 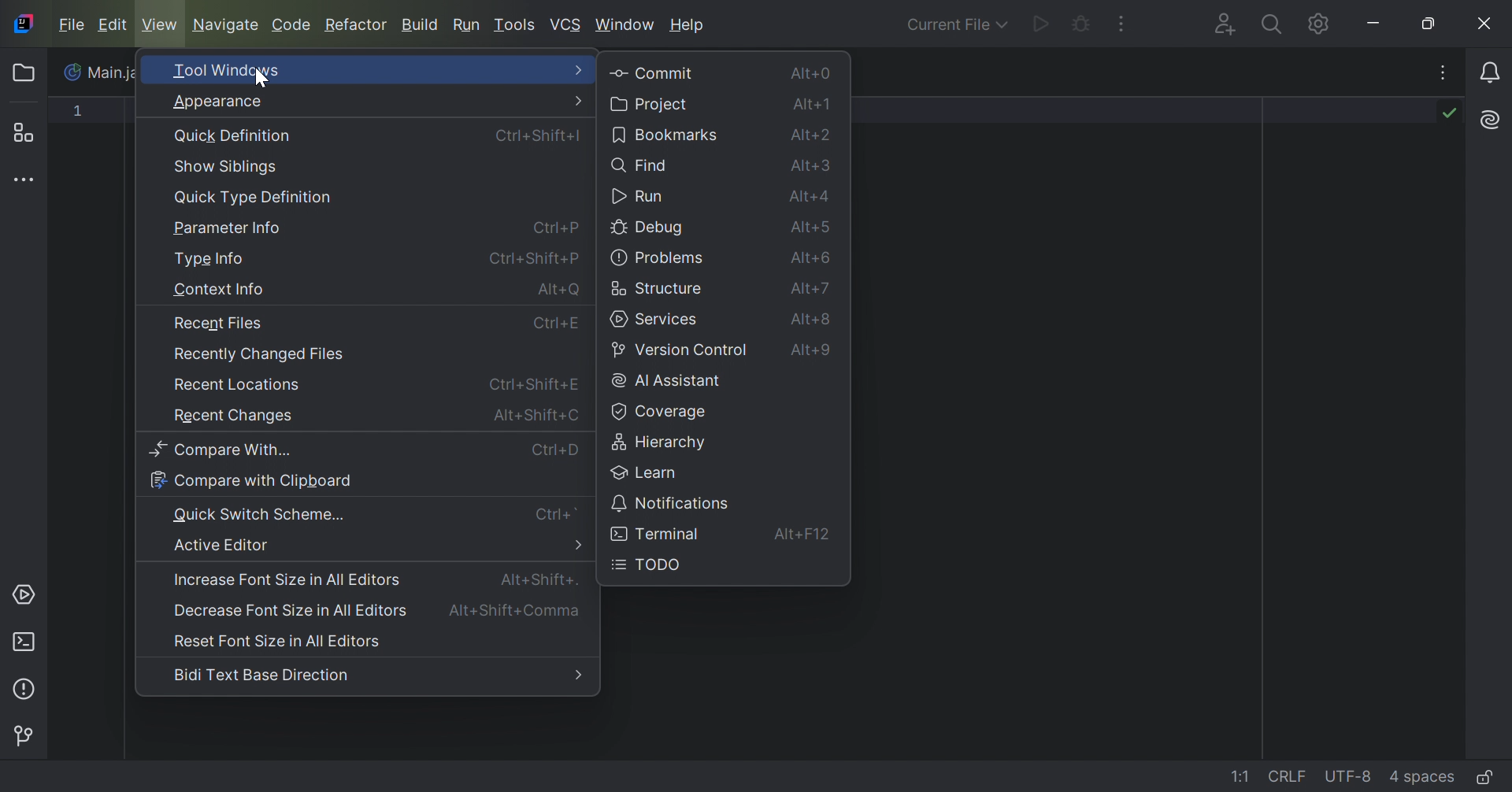 I want to click on Commit, so click(x=653, y=74).